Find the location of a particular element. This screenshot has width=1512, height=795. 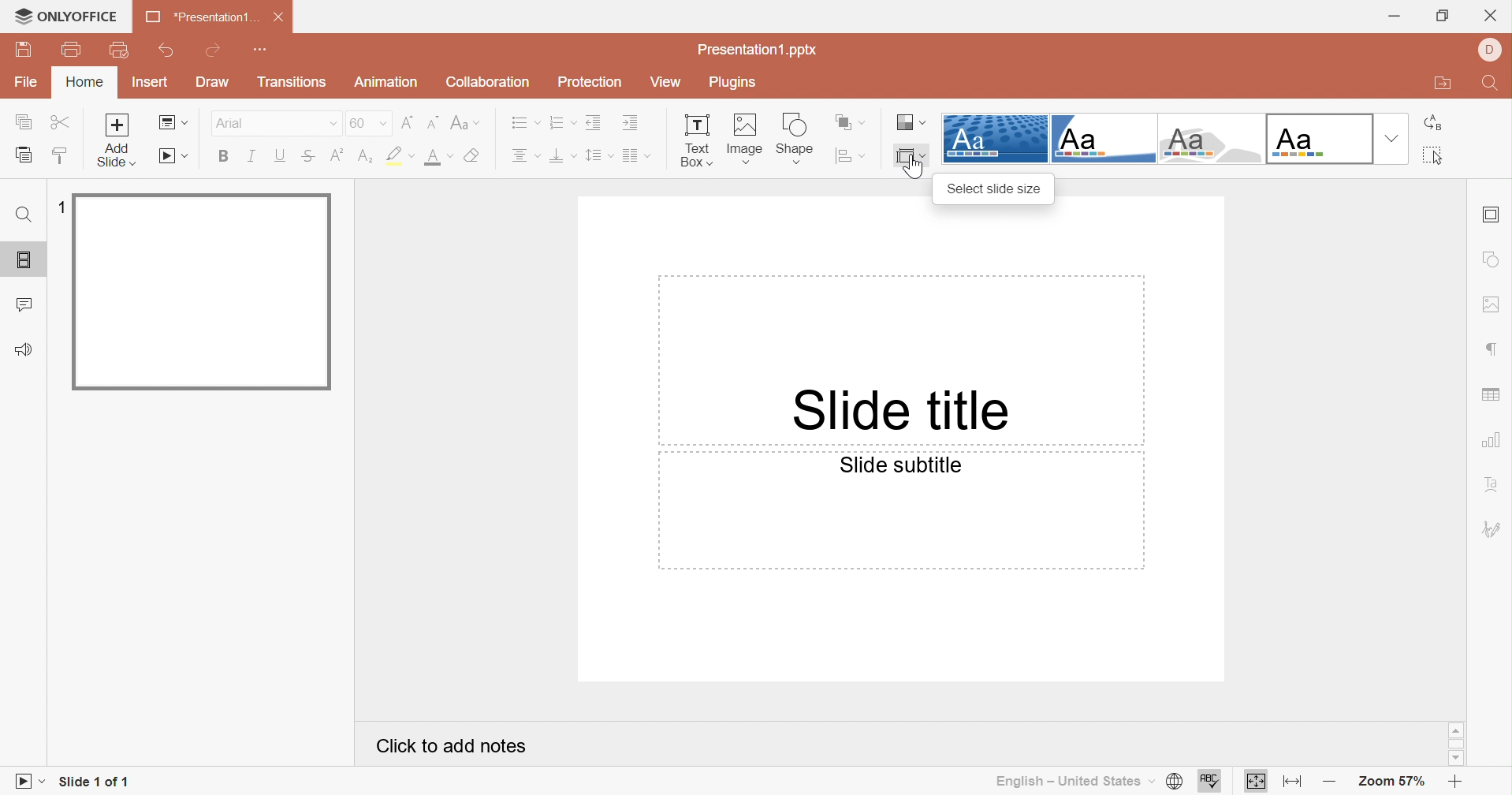

Collaboration is located at coordinates (490, 80).